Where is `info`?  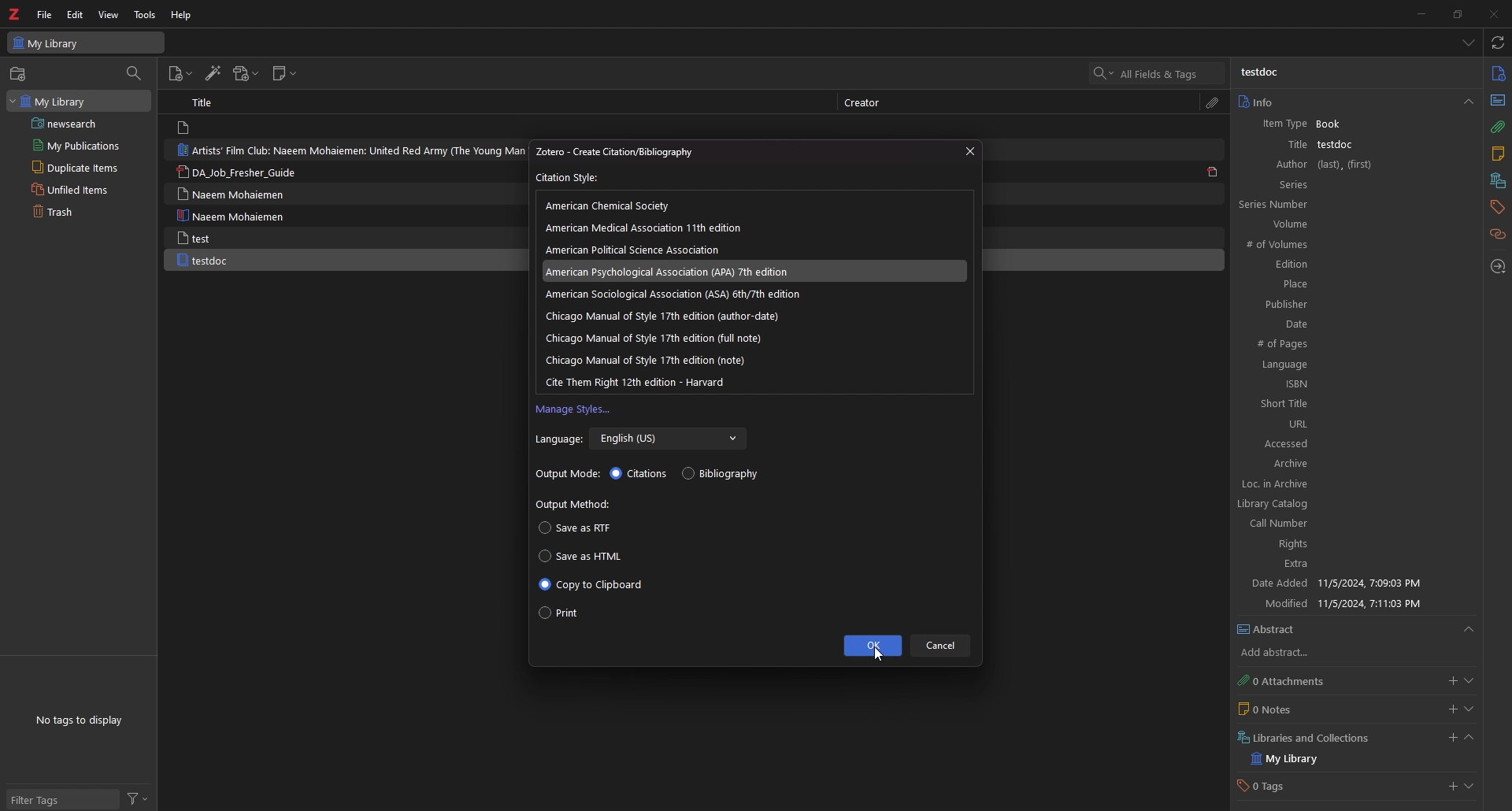
info is located at coordinates (1354, 102).